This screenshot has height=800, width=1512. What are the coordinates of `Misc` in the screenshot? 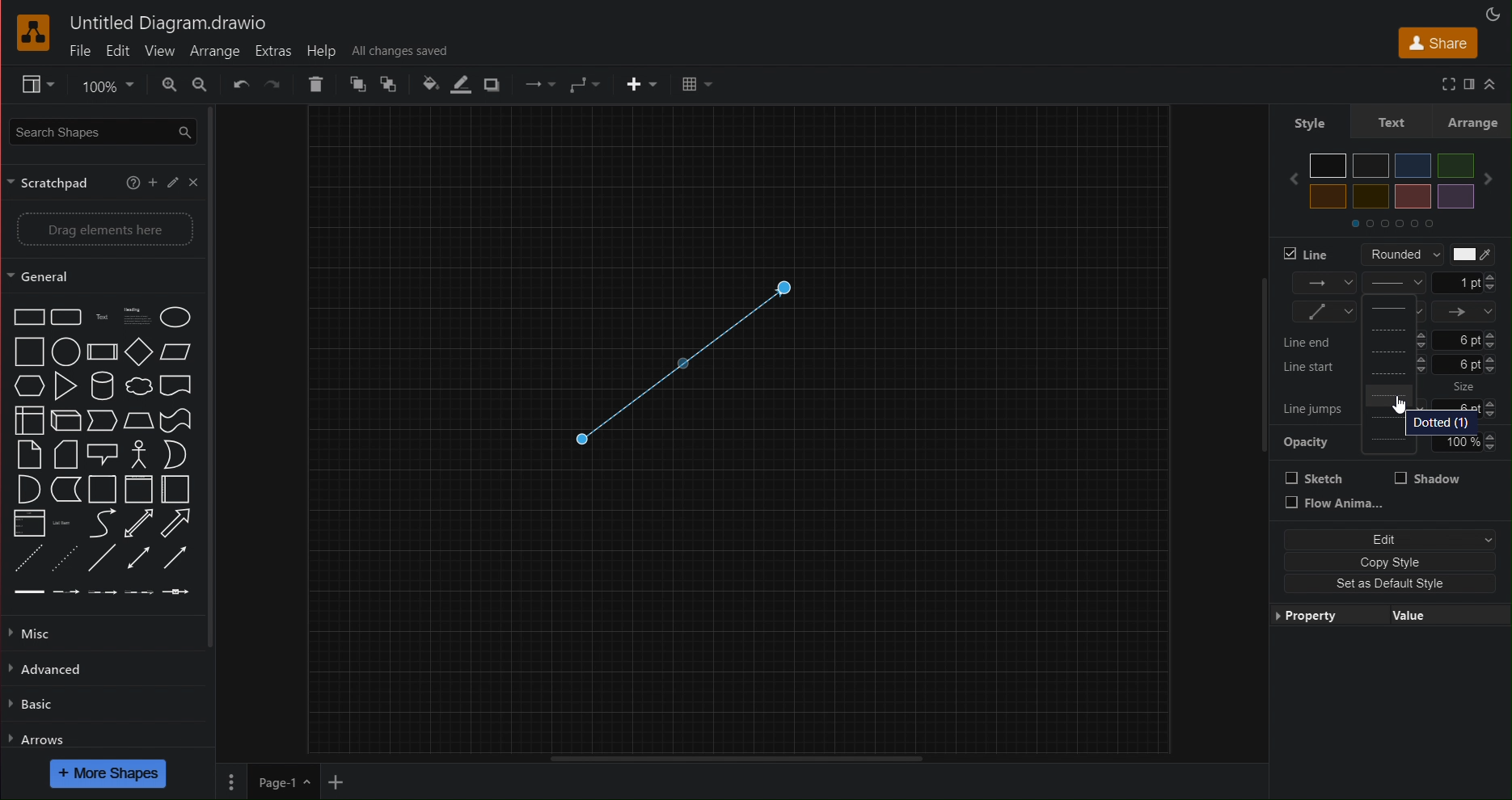 It's located at (37, 633).